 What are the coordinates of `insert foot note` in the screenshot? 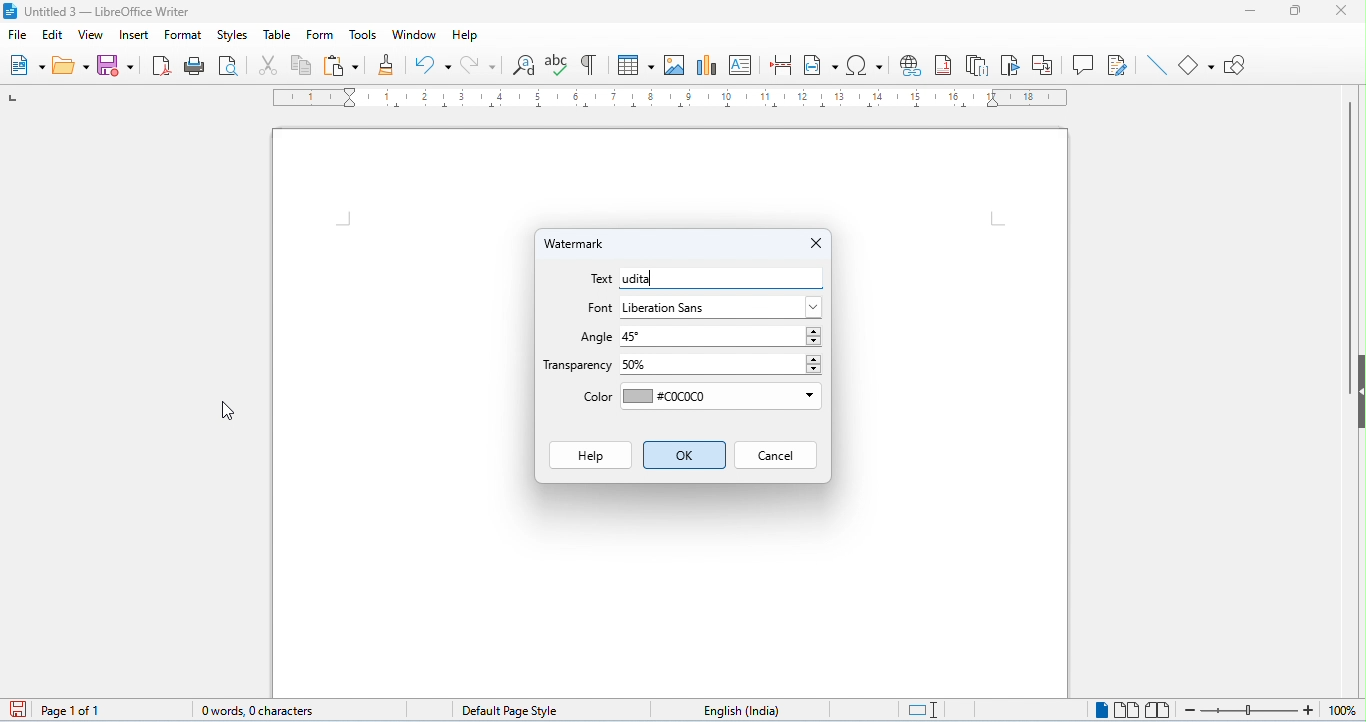 It's located at (944, 65).